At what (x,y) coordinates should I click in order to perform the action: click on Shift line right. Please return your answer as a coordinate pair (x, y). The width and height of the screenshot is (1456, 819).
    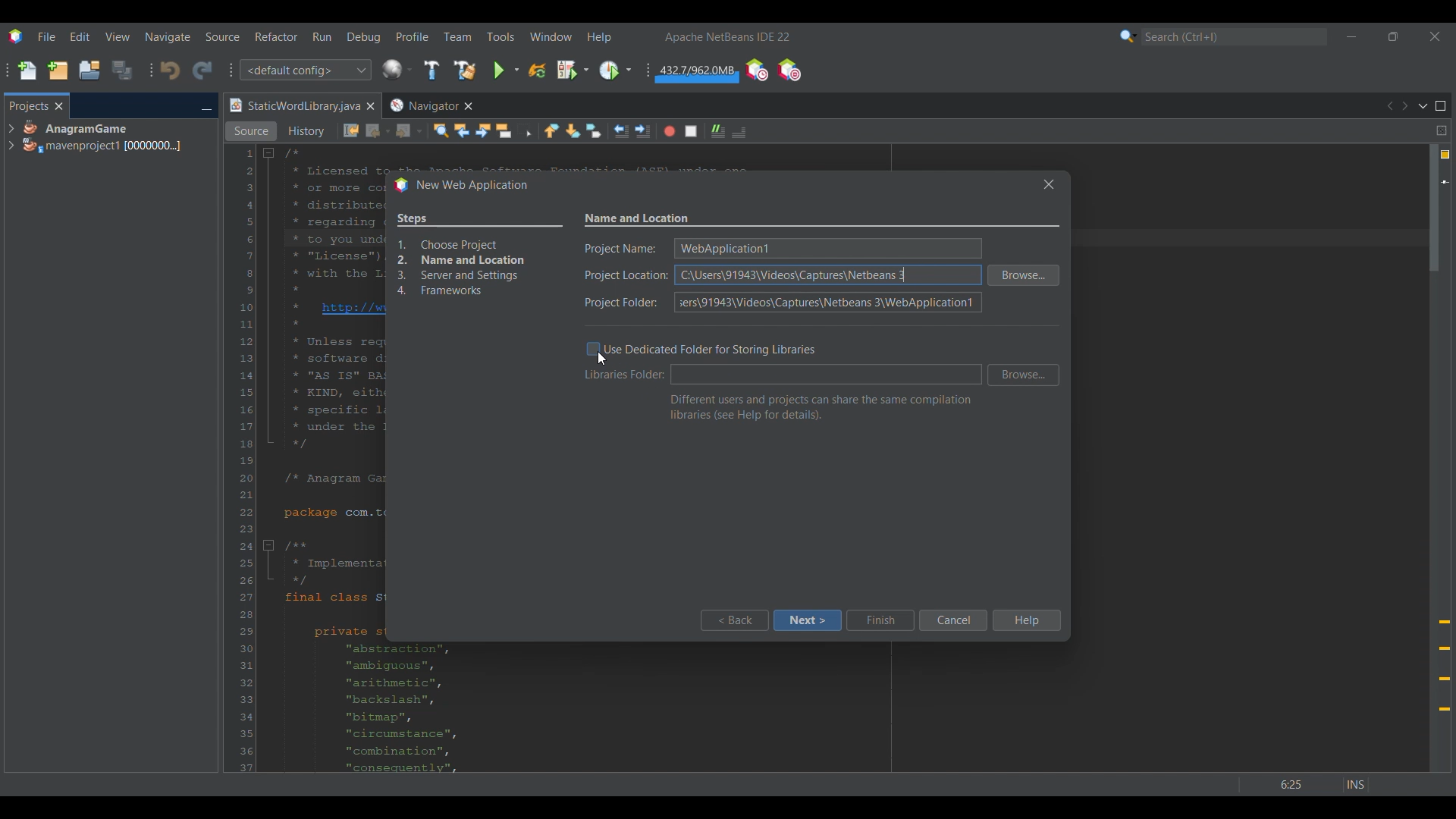
    Looking at the image, I should click on (642, 131).